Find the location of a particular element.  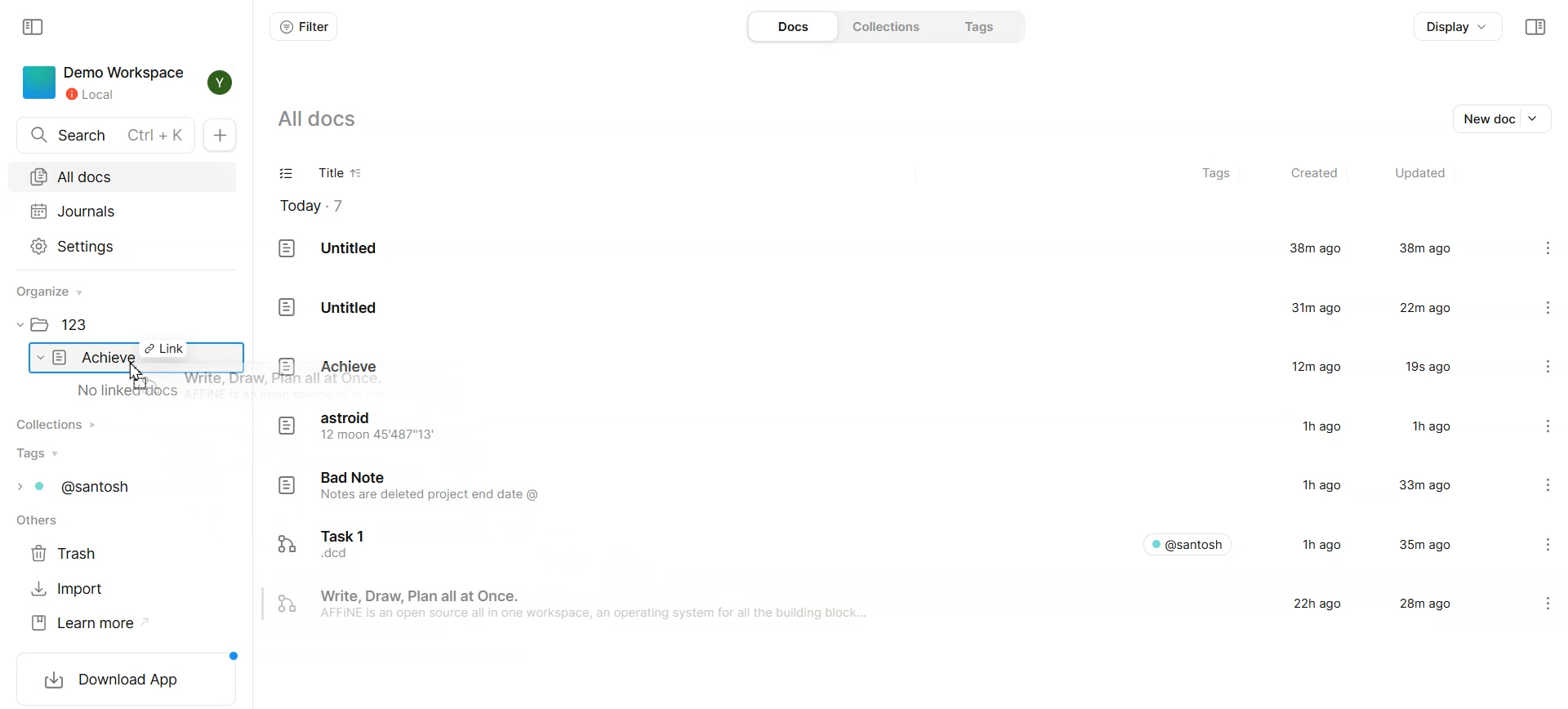

Title is located at coordinates (326, 175).